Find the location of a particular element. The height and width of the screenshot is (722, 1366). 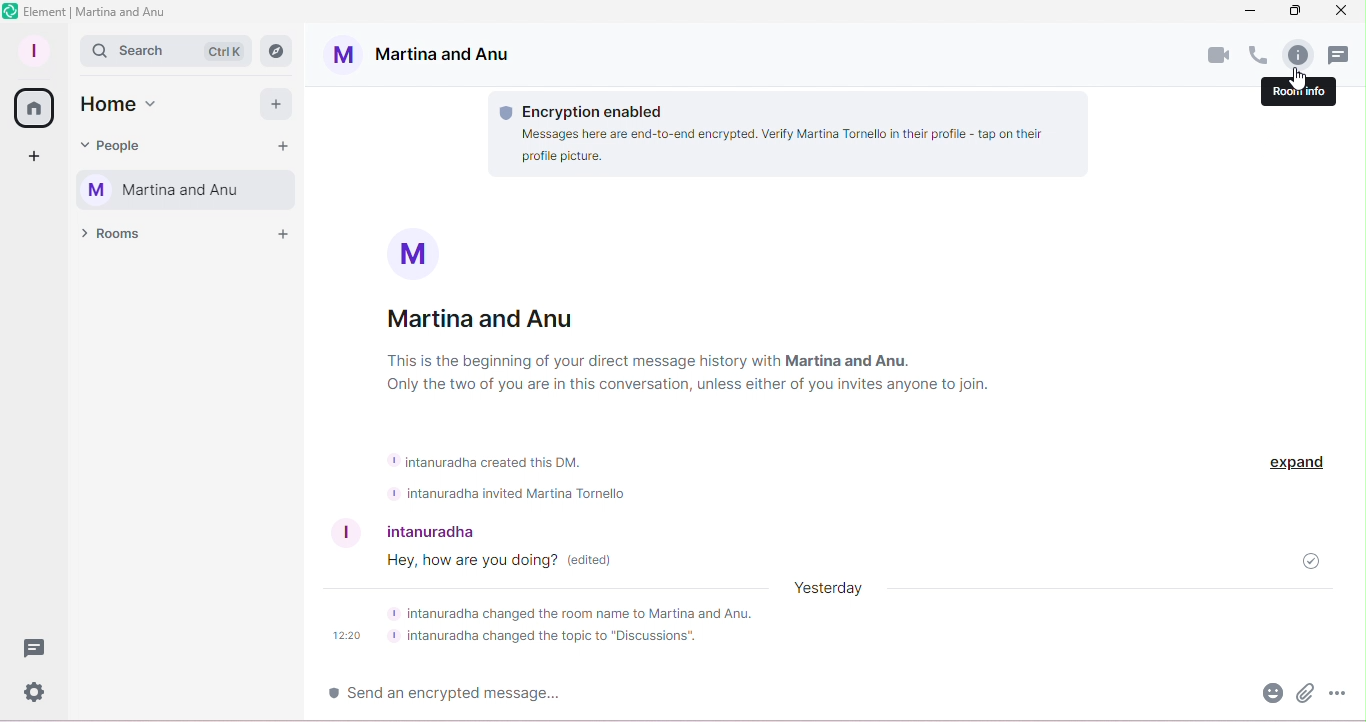

room info is located at coordinates (1296, 92).